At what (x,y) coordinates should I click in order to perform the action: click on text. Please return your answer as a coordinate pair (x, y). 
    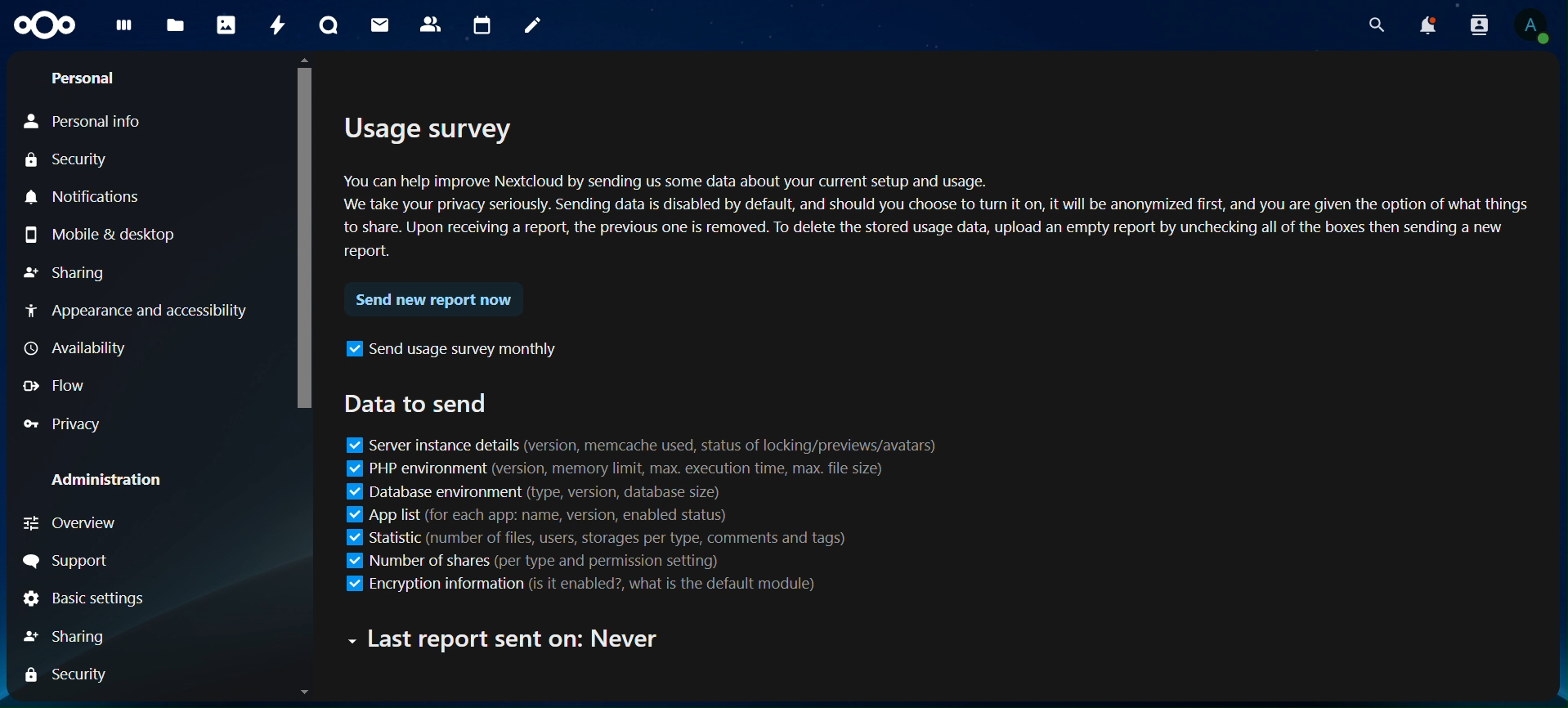
    Looking at the image, I should click on (512, 639).